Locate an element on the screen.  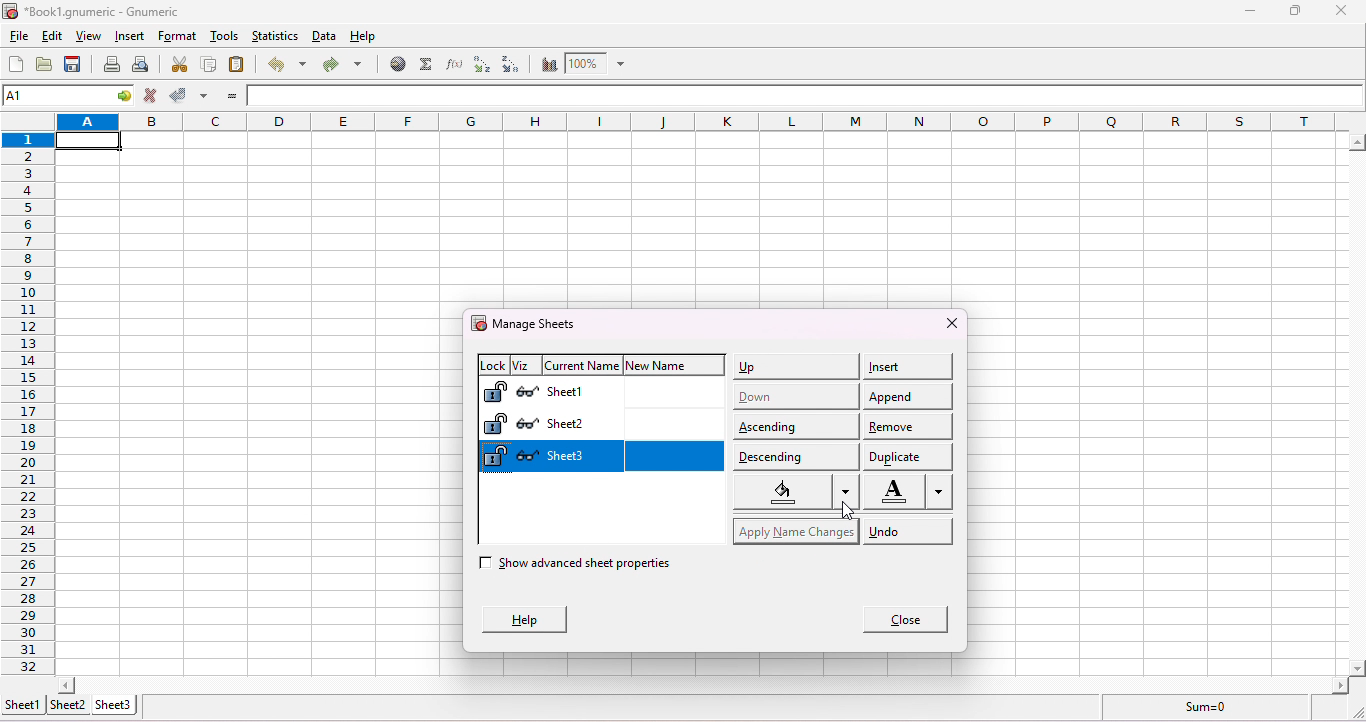
lock is located at coordinates (490, 362).